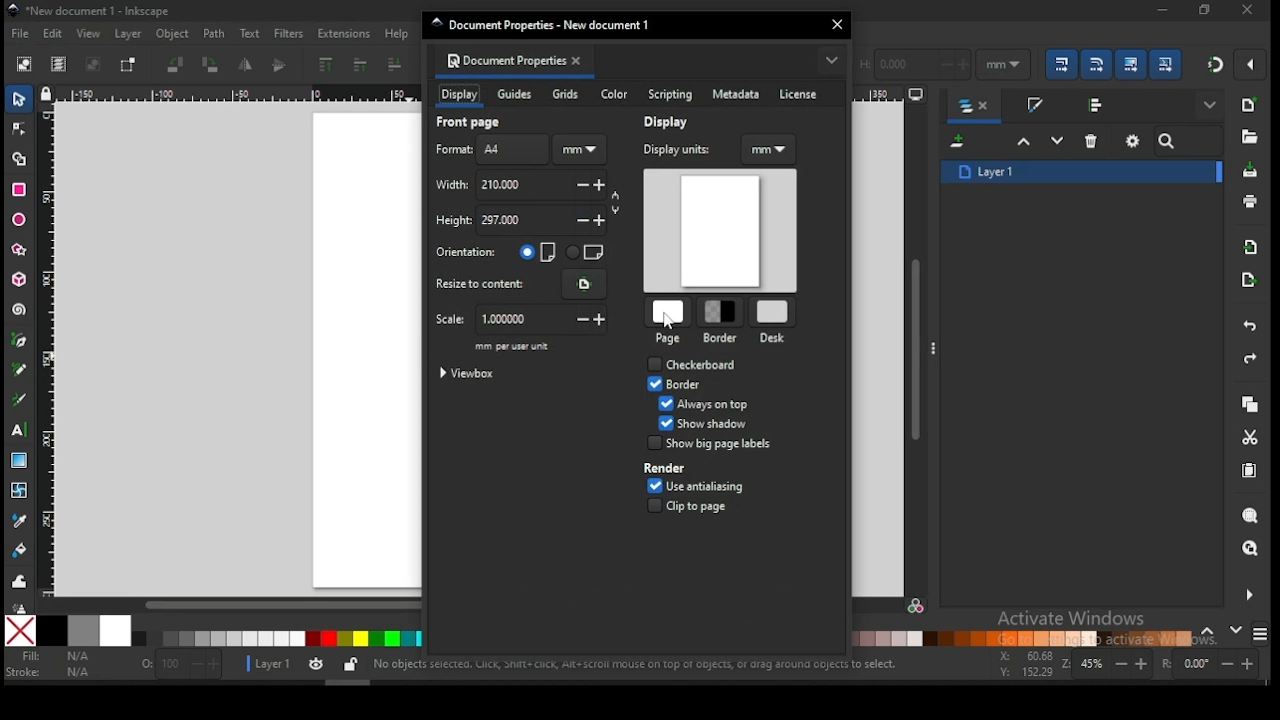 This screenshot has width=1280, height=720. What do you see at coordinates (1165, 63) in the screenshot?
I see `move patterns along with objects` at bounding box center [1165, 63].